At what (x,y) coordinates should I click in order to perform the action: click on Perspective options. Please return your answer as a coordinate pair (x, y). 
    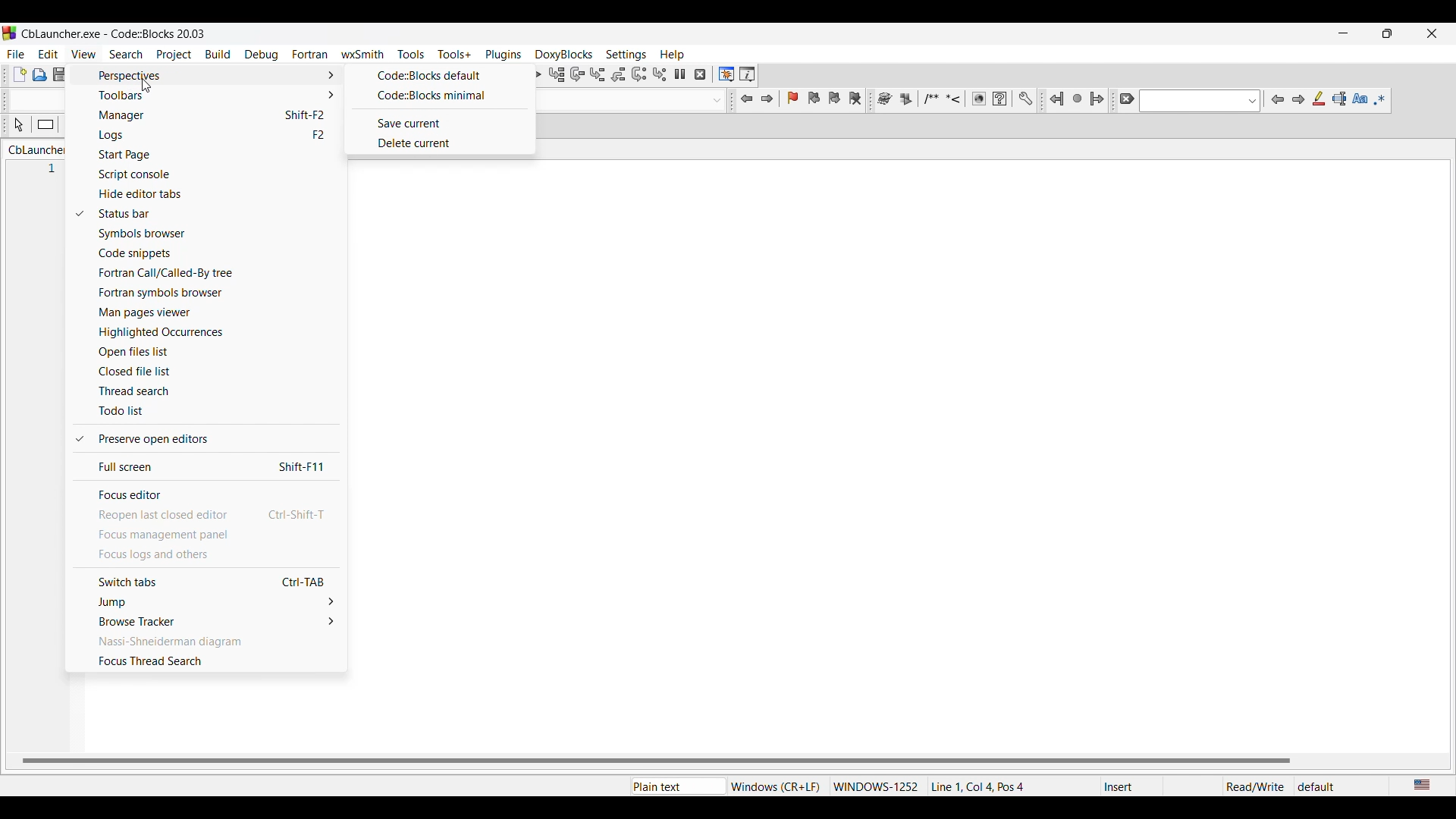
    Looking at the image, I should click on (215, 75).